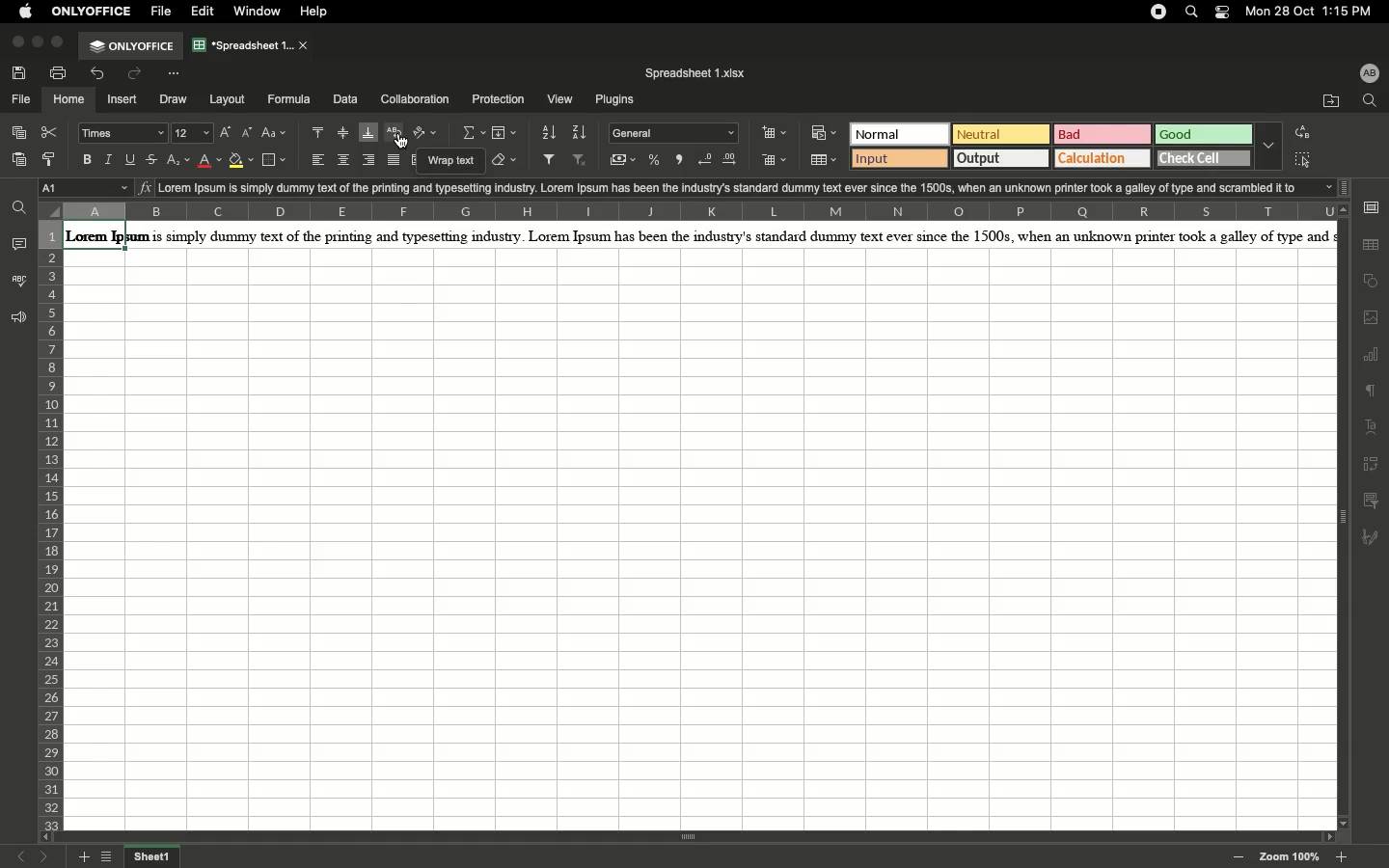 The width and height of the screenshot is (1389, 868). I want to click on Copy, so click(22, 132).